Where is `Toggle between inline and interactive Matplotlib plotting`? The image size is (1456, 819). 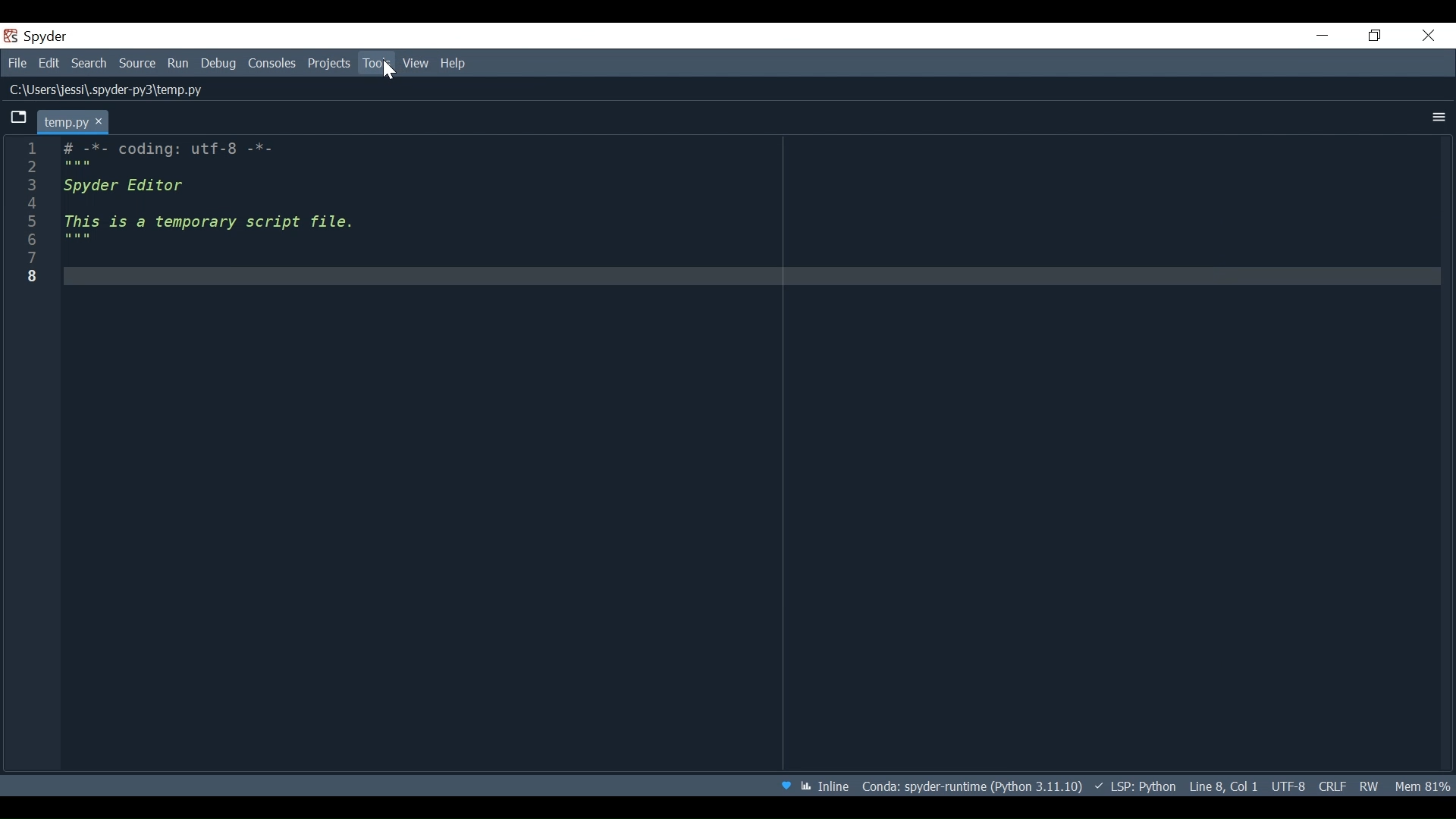
Toggle between inline and interactive Matplotlib plotting is located at coordinates (827, 786).